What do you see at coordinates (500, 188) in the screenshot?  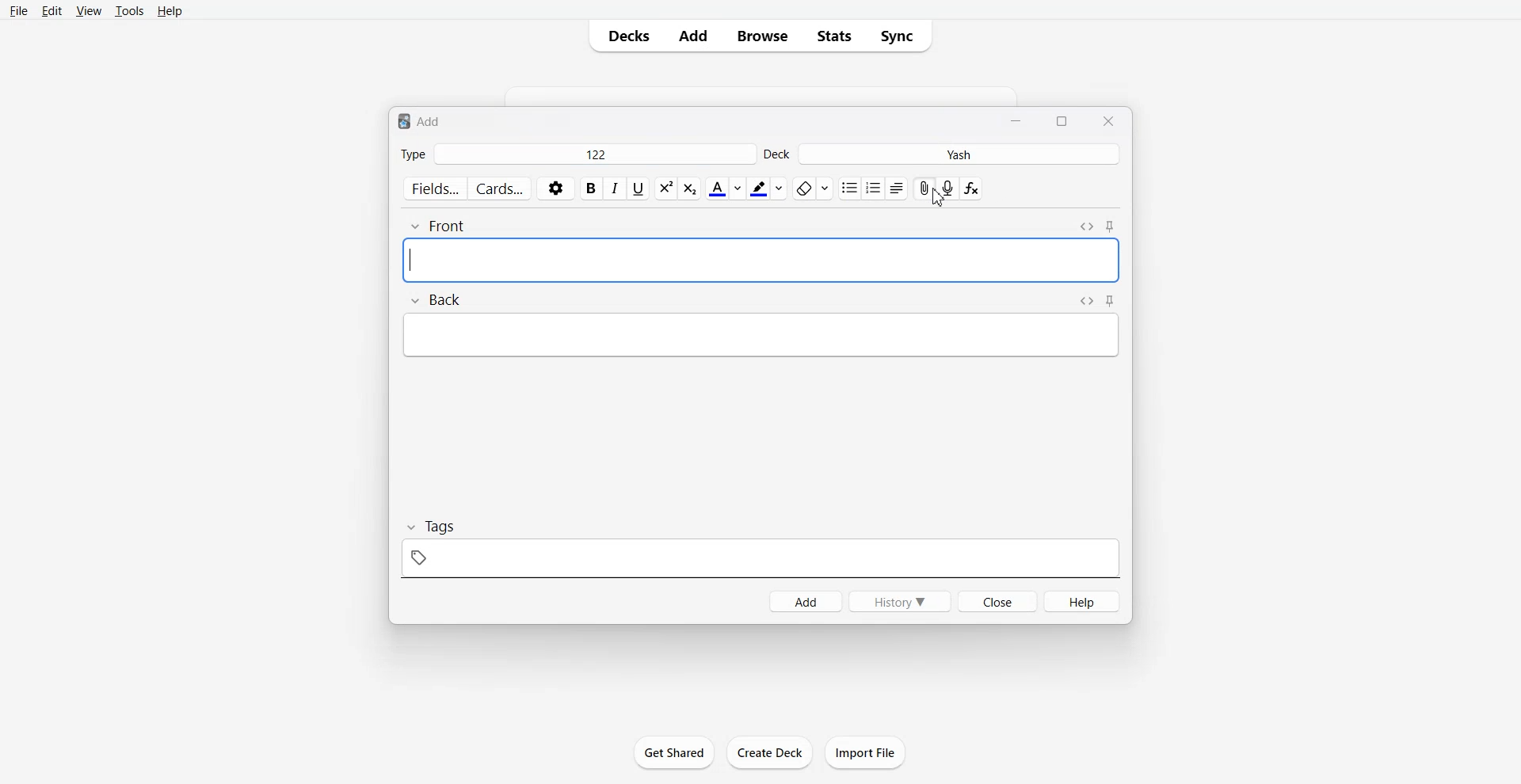 I see `Cards` at bounding box center [500, 188].